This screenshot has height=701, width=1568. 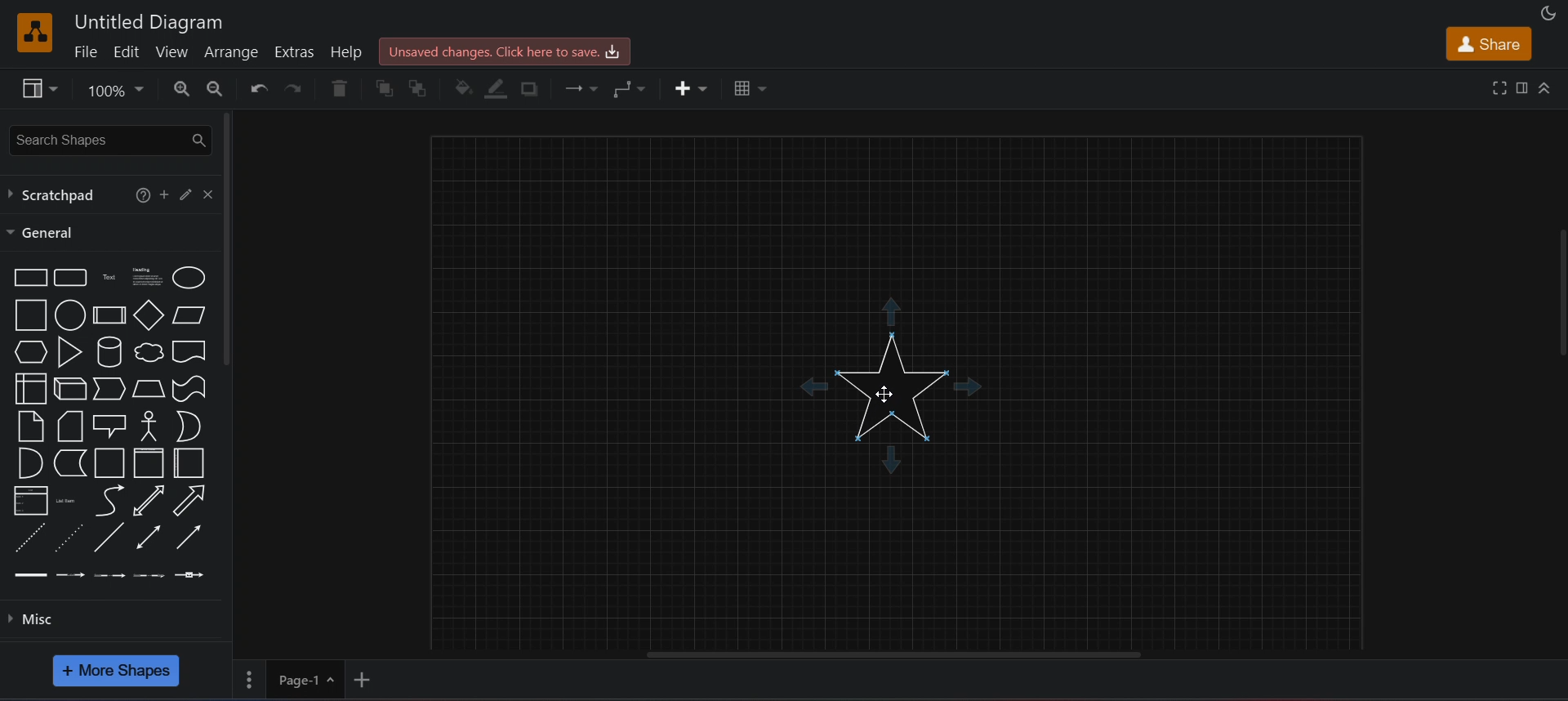 I want to click on diamond, so click(x=149, y=314).